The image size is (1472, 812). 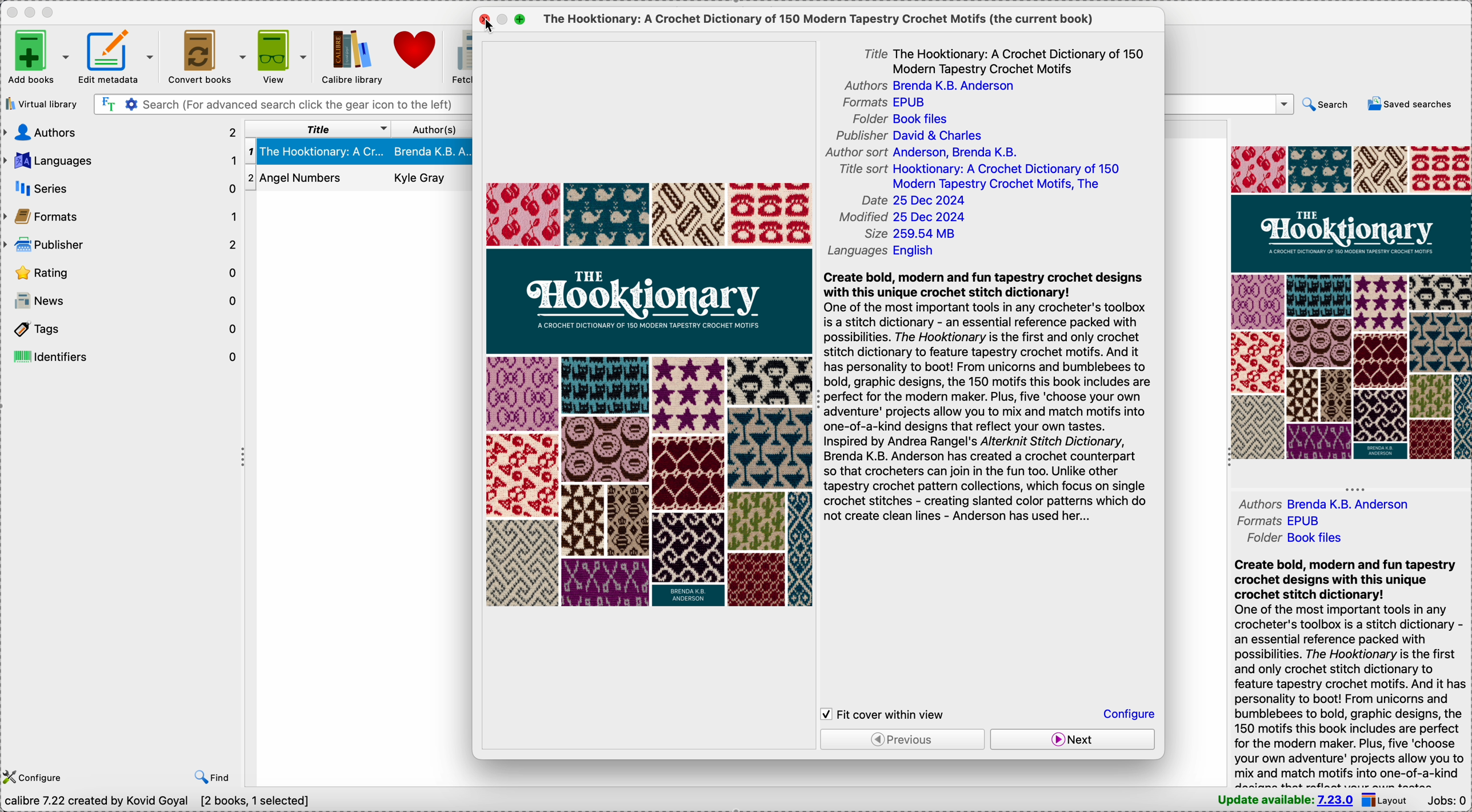 I want to click on Angel numbers book details, so click(x=359, y=179).